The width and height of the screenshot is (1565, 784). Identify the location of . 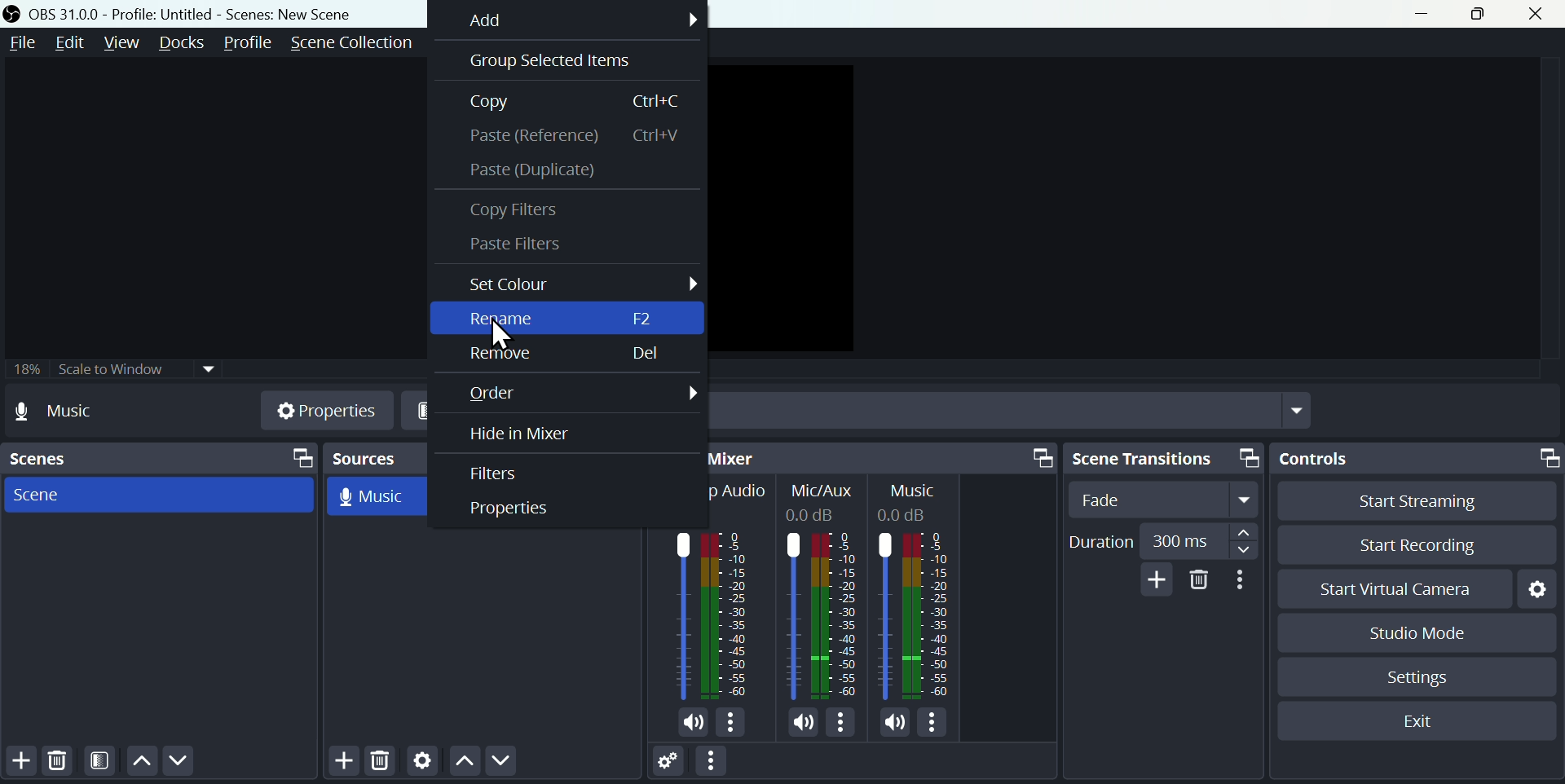
(911, 489).